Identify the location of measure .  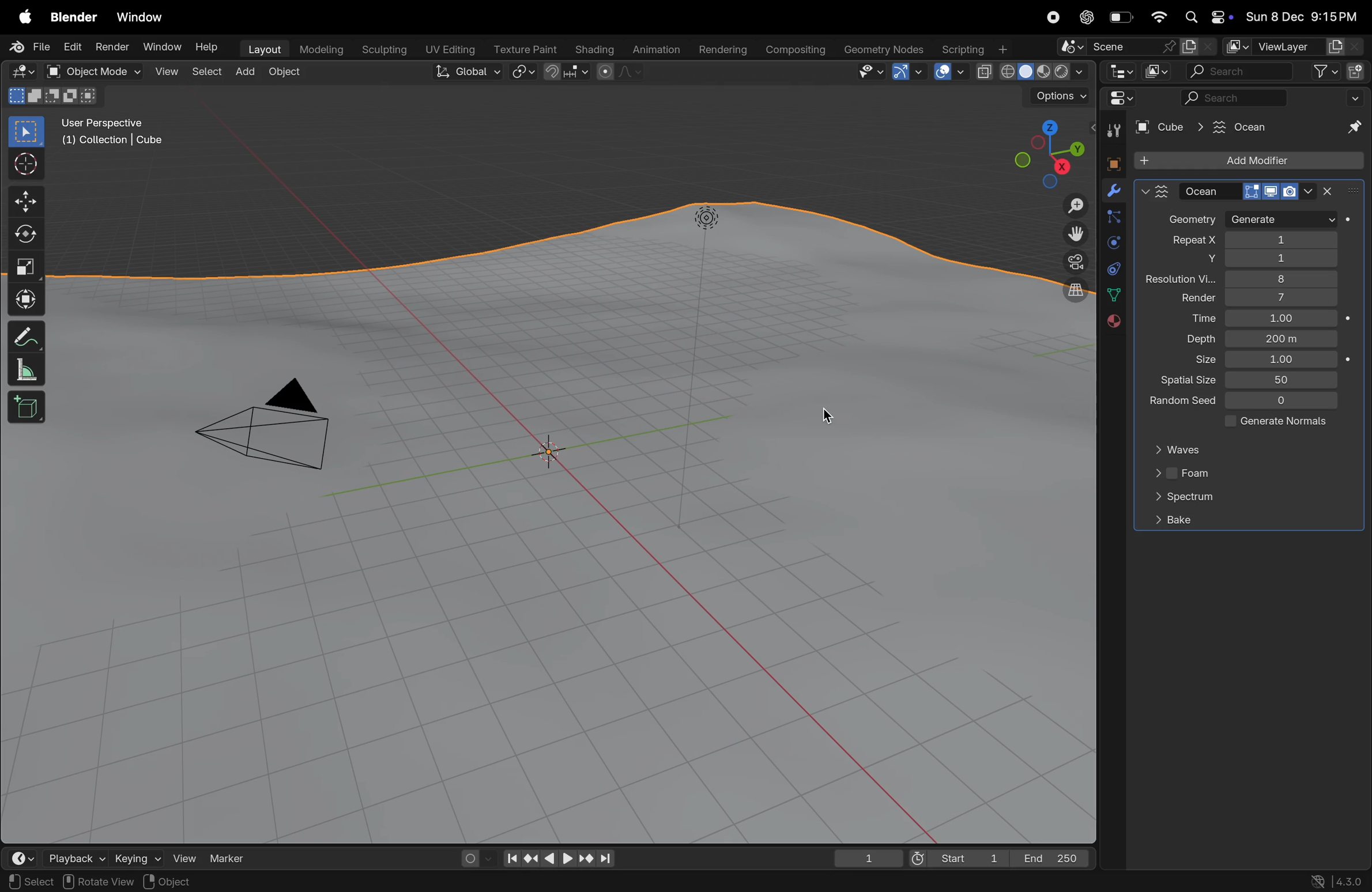
(26, 372).